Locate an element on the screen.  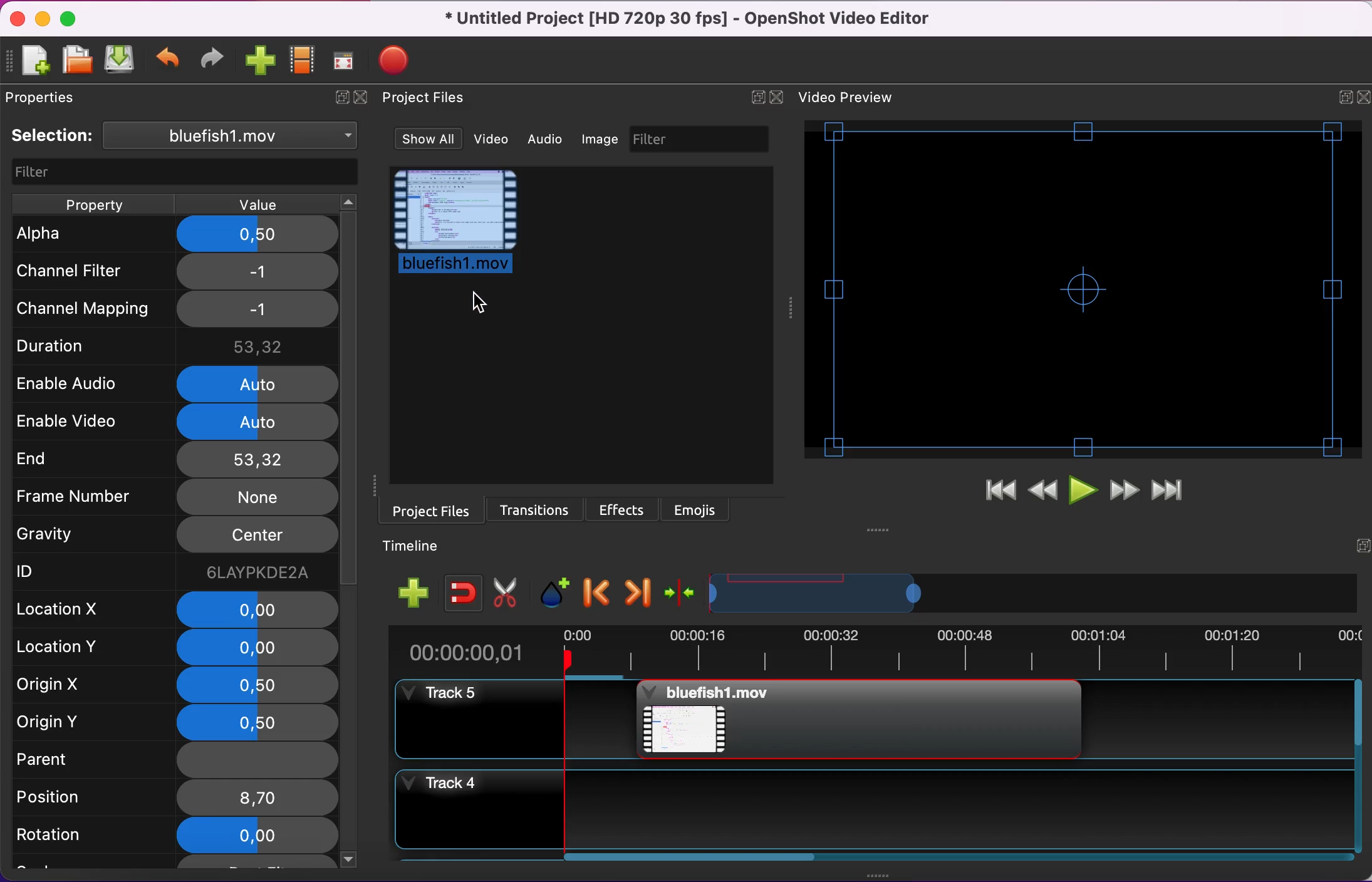
video is located at coordinates (497, 140).